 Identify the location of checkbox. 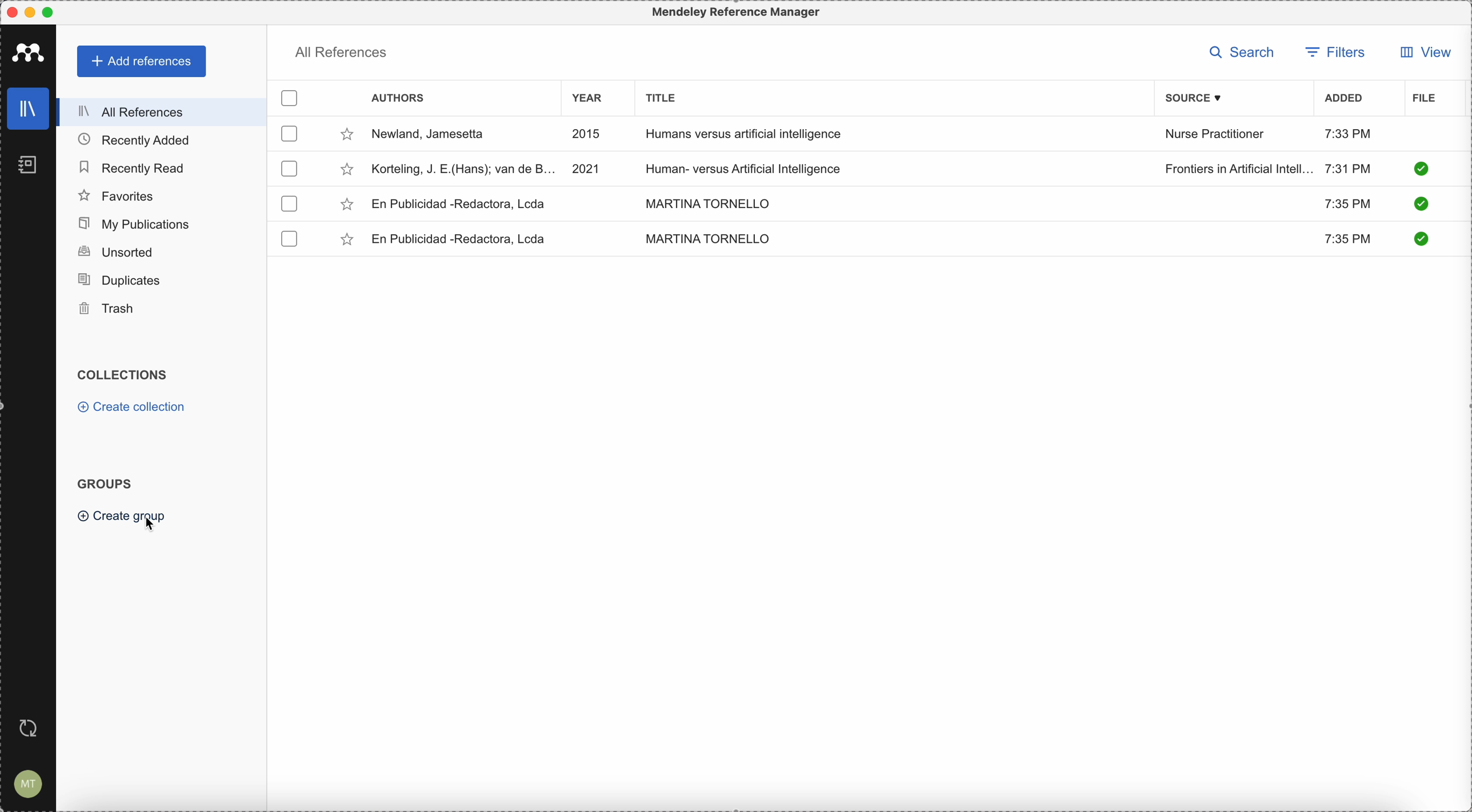
(291, 133).